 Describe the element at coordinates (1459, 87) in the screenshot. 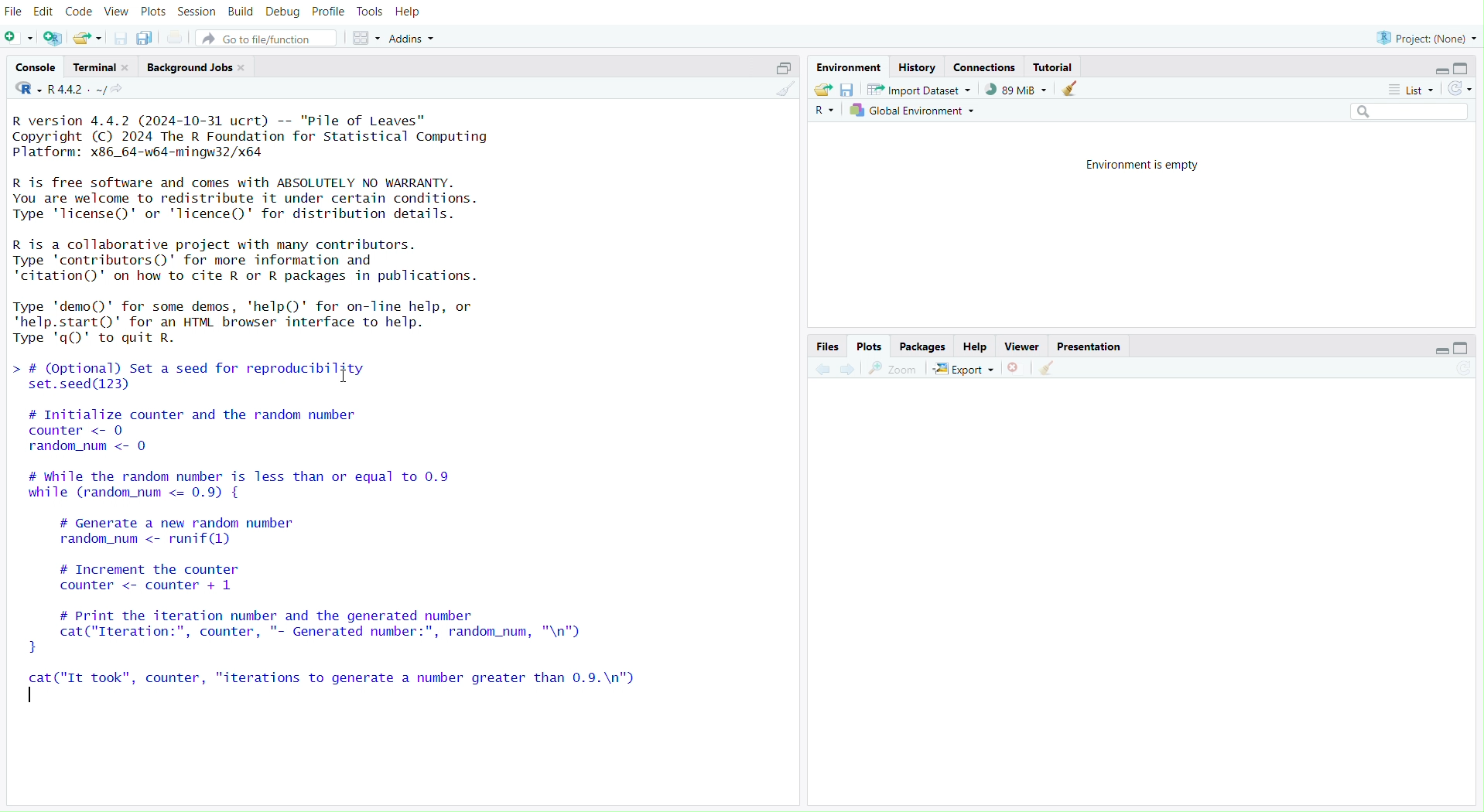

I see `Refresh the list of objects in the environment` at that location.